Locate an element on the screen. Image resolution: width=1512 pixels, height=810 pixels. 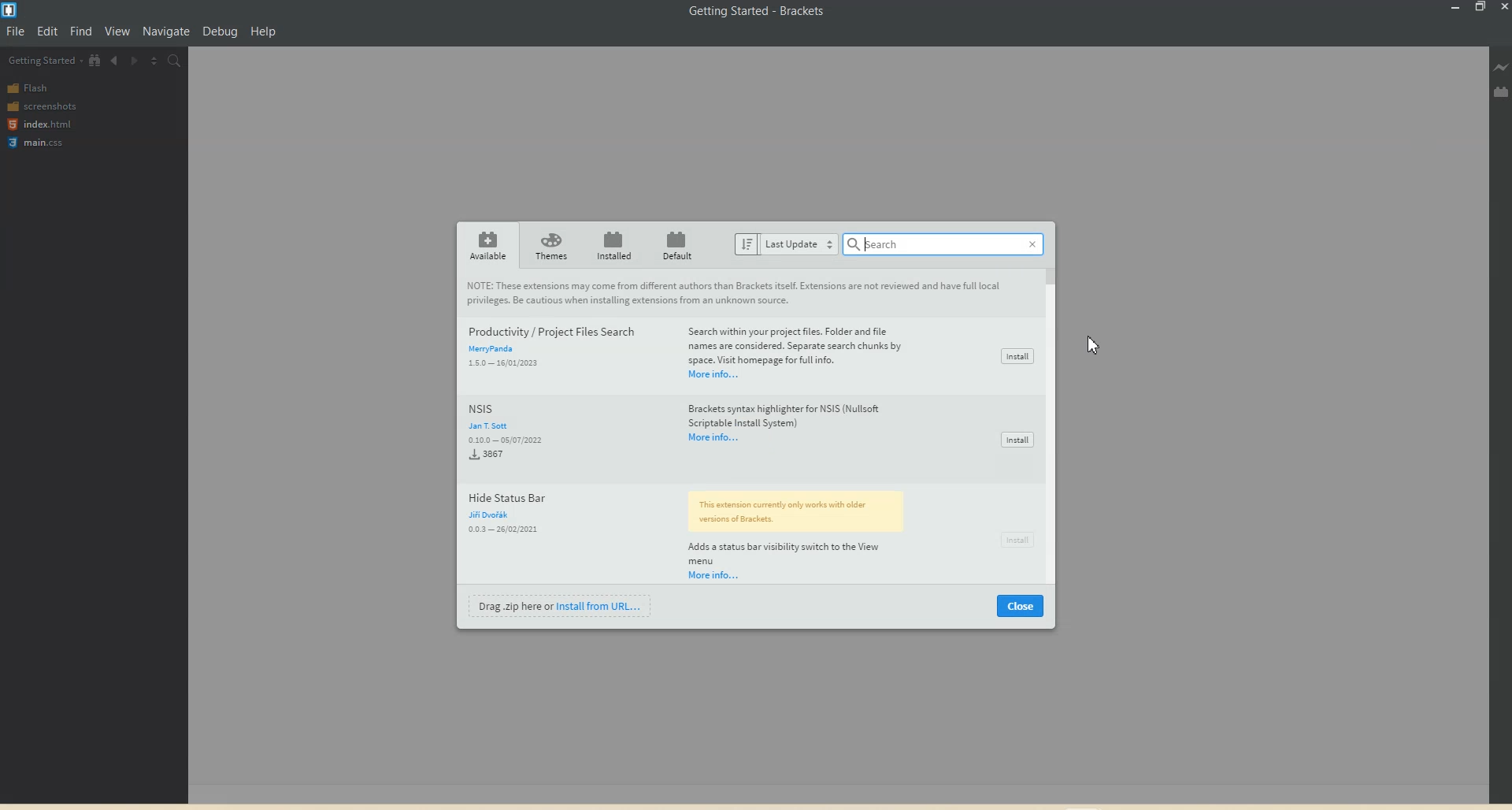
Adds a status bar visibility switch to the View menu is located at coordinates (787, 552).